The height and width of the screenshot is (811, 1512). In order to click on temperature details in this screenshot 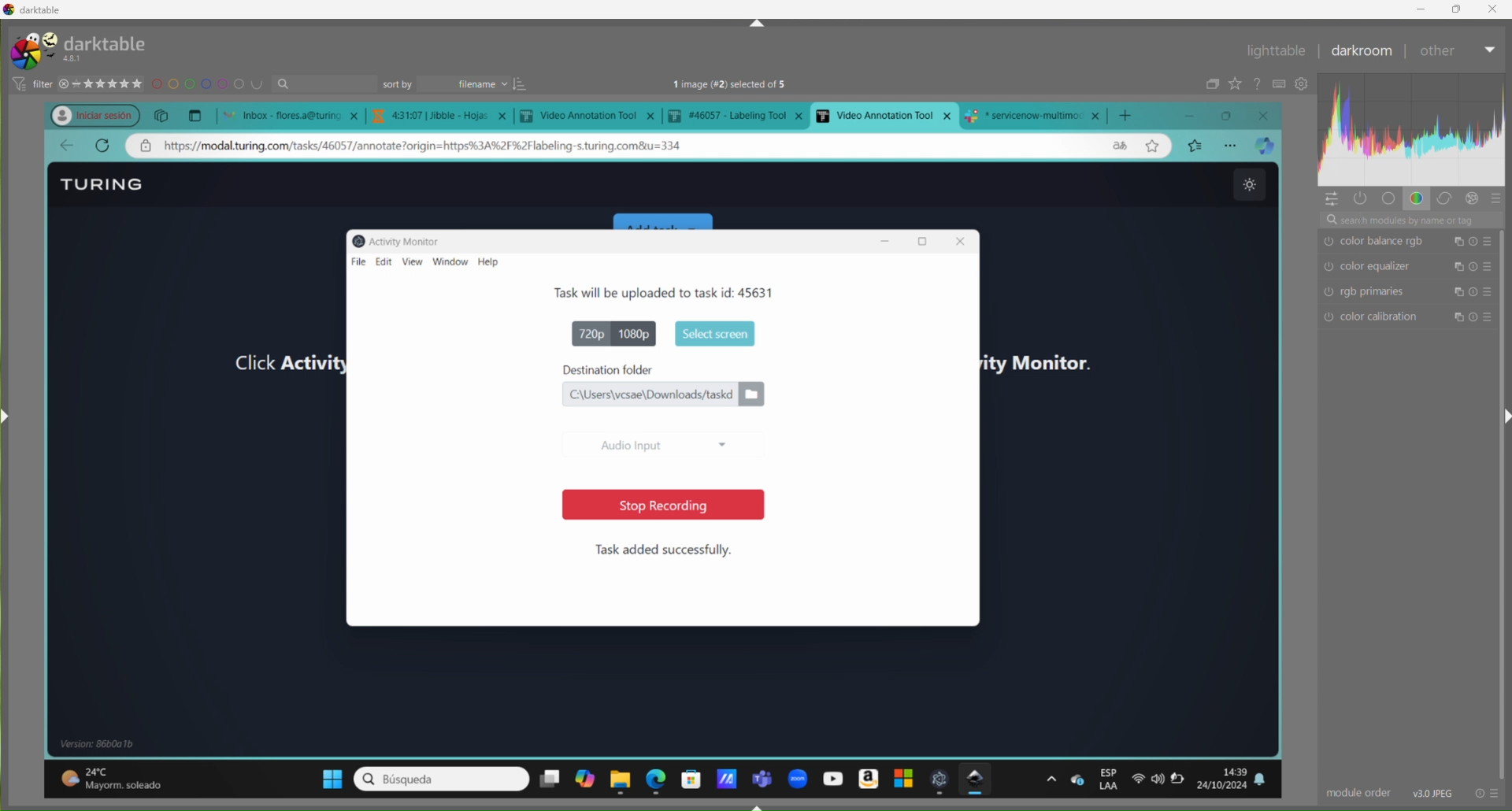, I will do `click(120, 774)`.